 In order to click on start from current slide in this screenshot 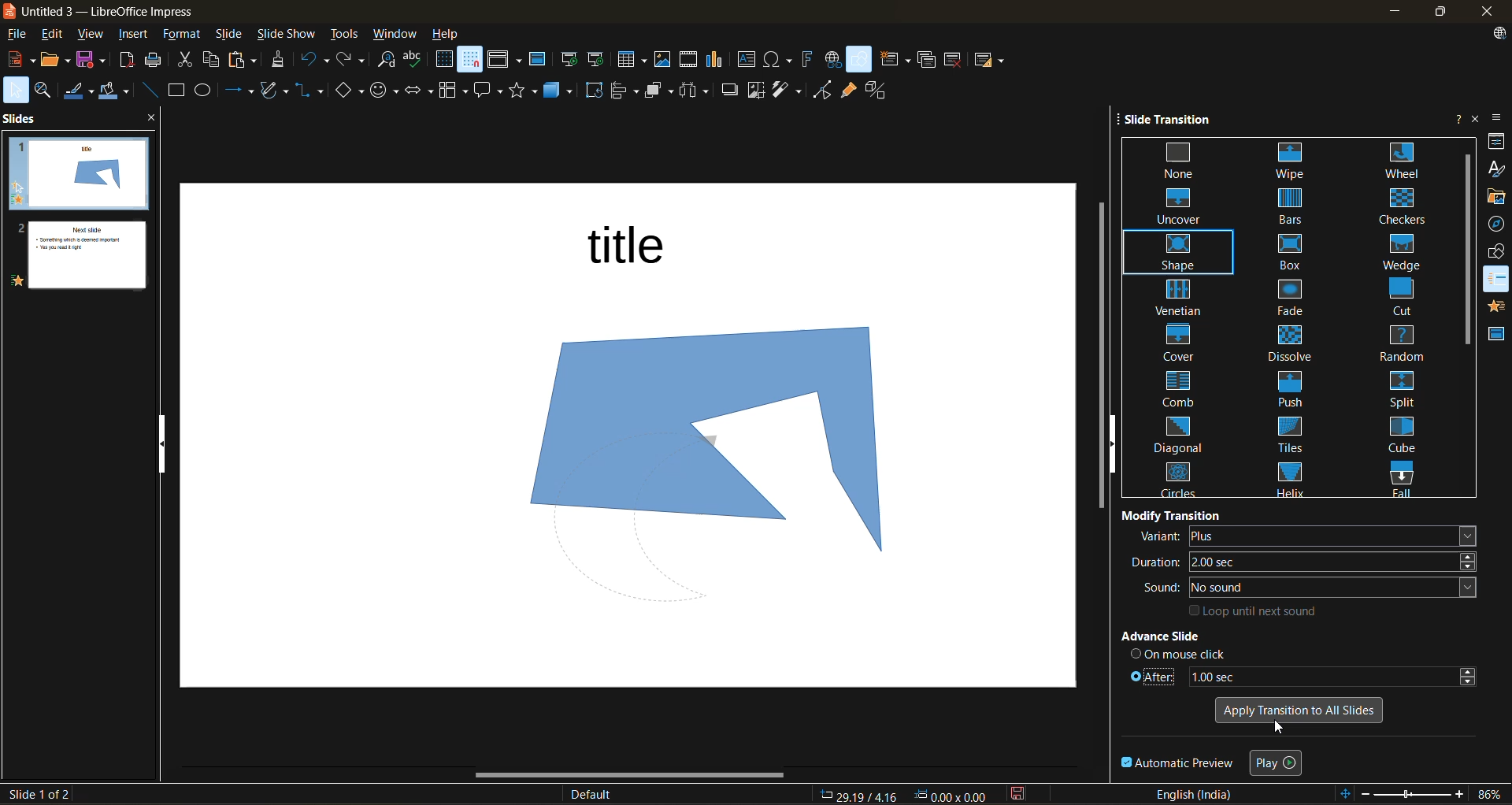, I will do `click(598, 59)`.